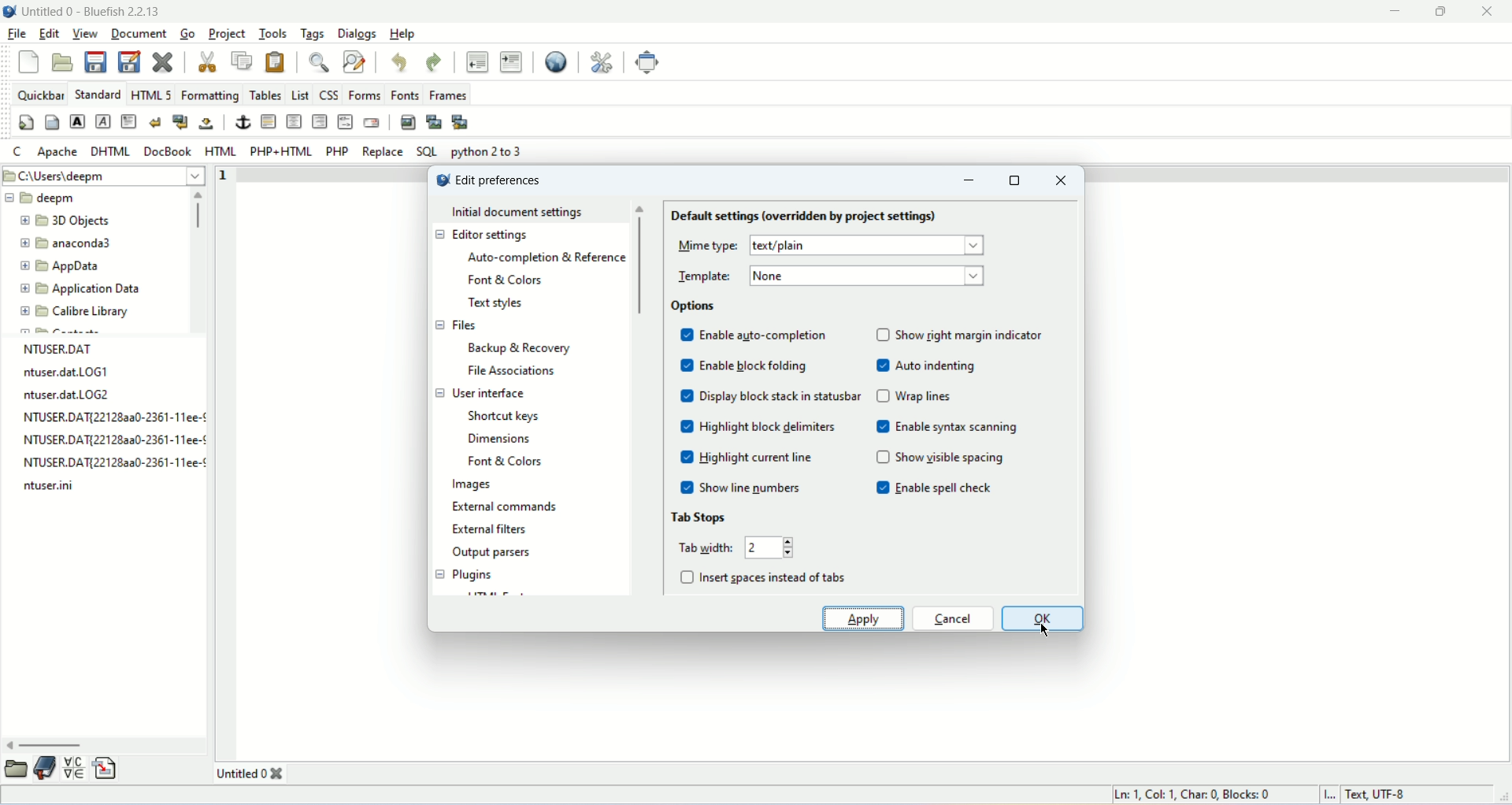 Image resolution: width=1512 pixels, height=805 pixels. What do you see at coordinates (969, 181) in the screenshot?
I see `minimize` at bounding box center [969, 181].